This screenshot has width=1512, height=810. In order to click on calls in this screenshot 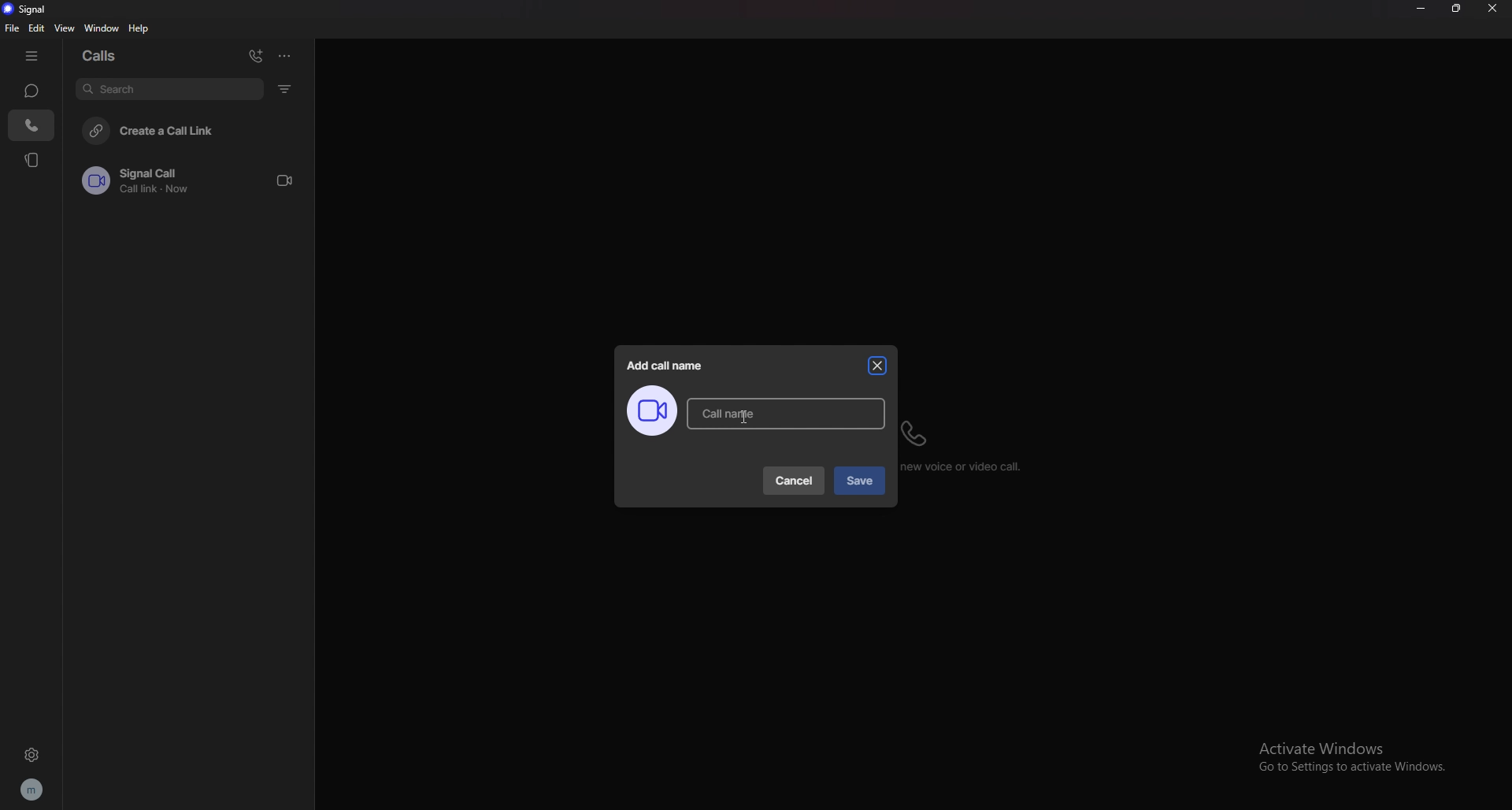, I will do `click(32, 125)`.